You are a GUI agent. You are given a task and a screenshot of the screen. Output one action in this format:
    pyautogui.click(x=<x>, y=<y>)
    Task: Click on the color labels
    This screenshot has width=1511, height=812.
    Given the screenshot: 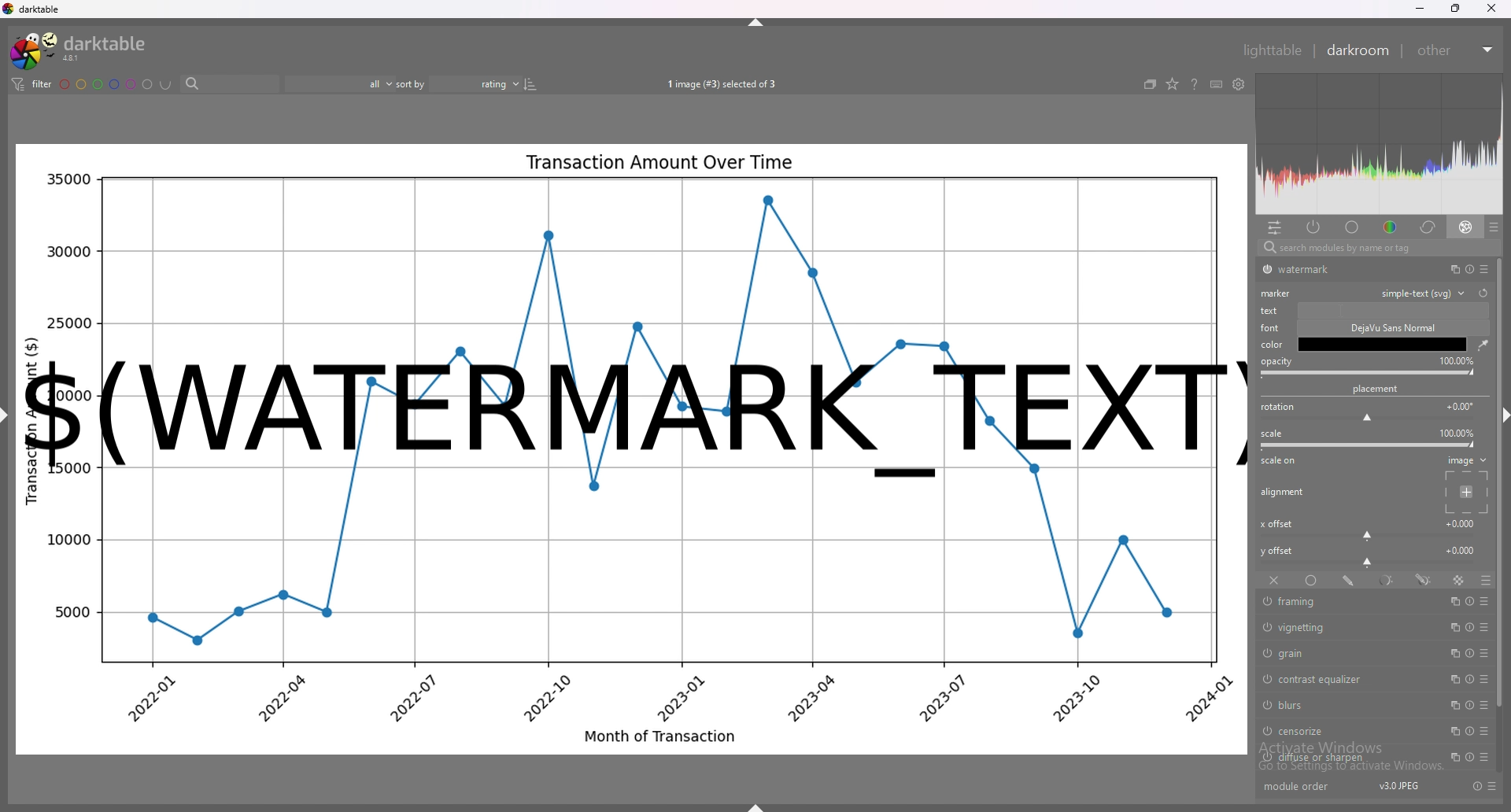 What is the action you would take?
    pyautogui.click(x=106, y=83)
    